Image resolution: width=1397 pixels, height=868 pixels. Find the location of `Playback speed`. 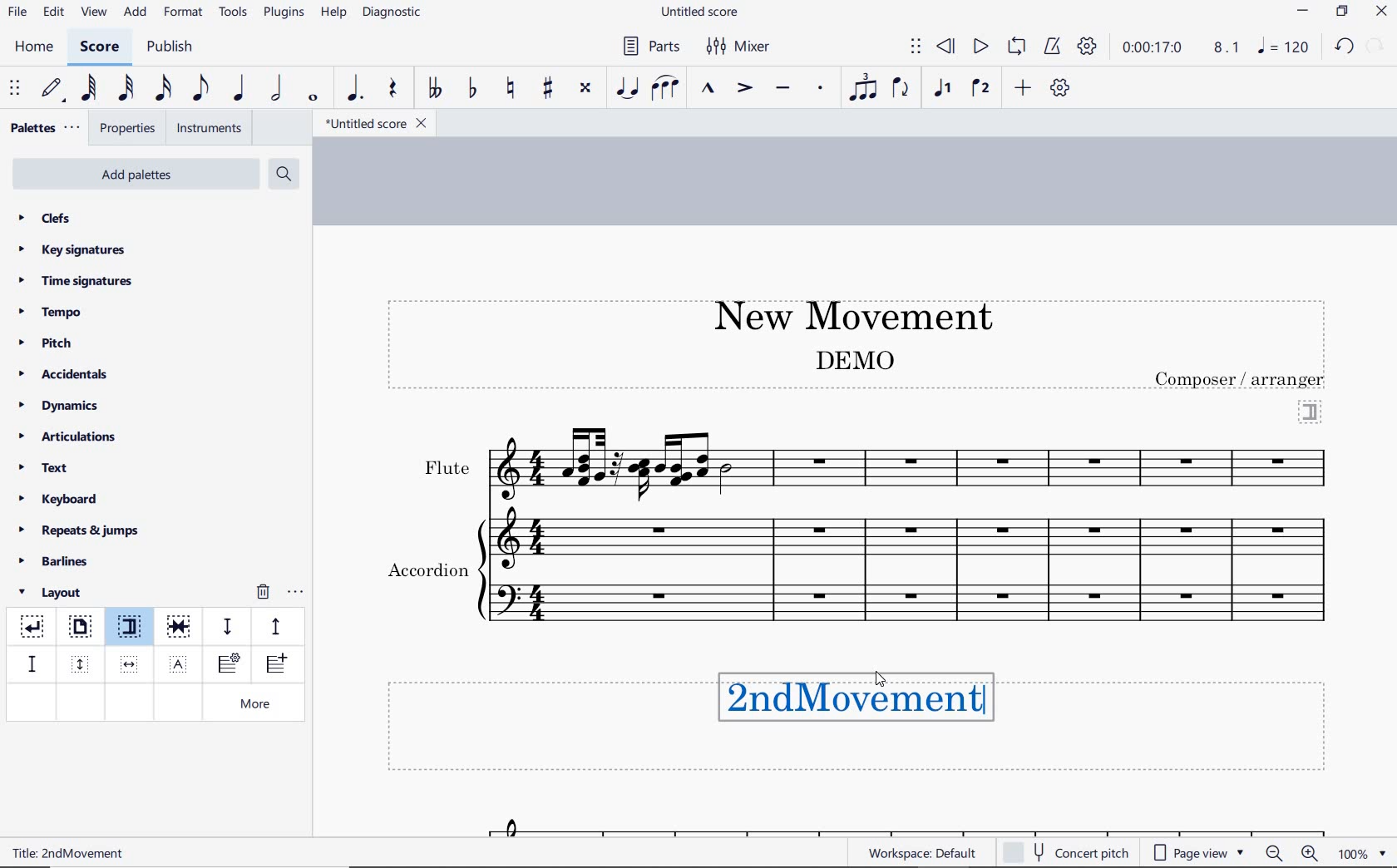

Playback speed is located at coordinates (1228, 48).